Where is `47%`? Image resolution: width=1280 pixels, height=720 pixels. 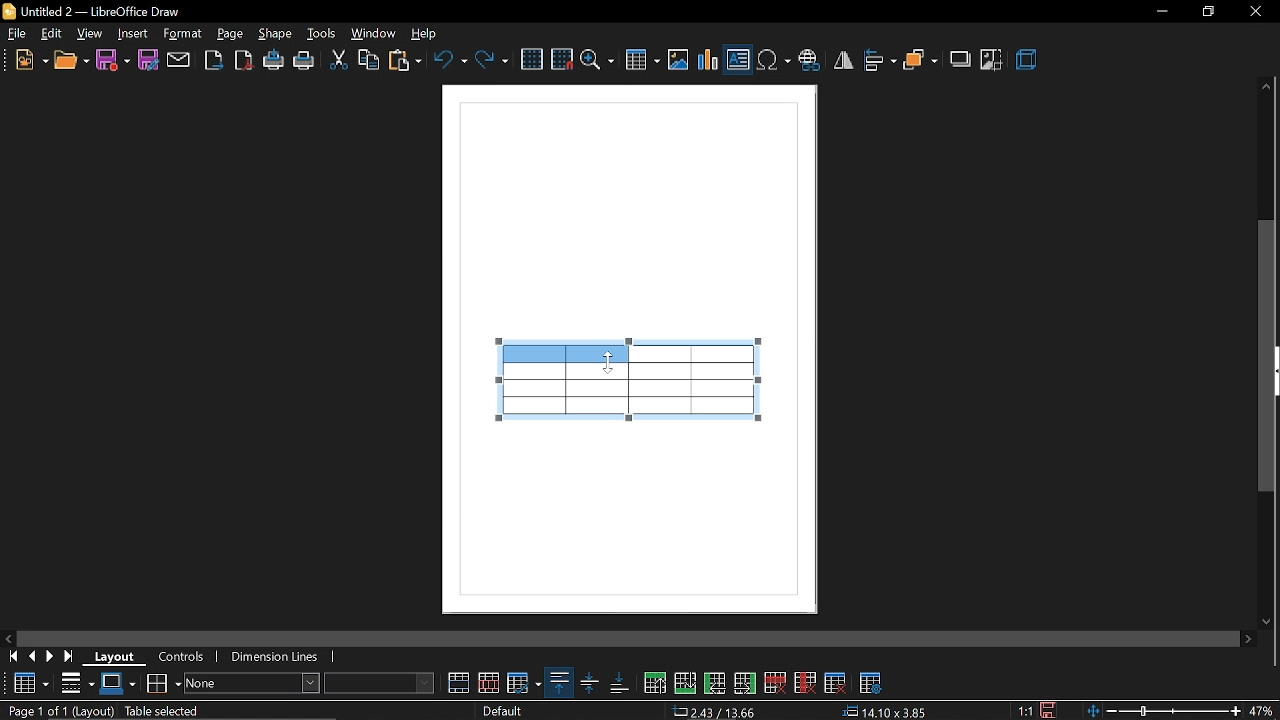
47% is located at coordinates (1265, 711).